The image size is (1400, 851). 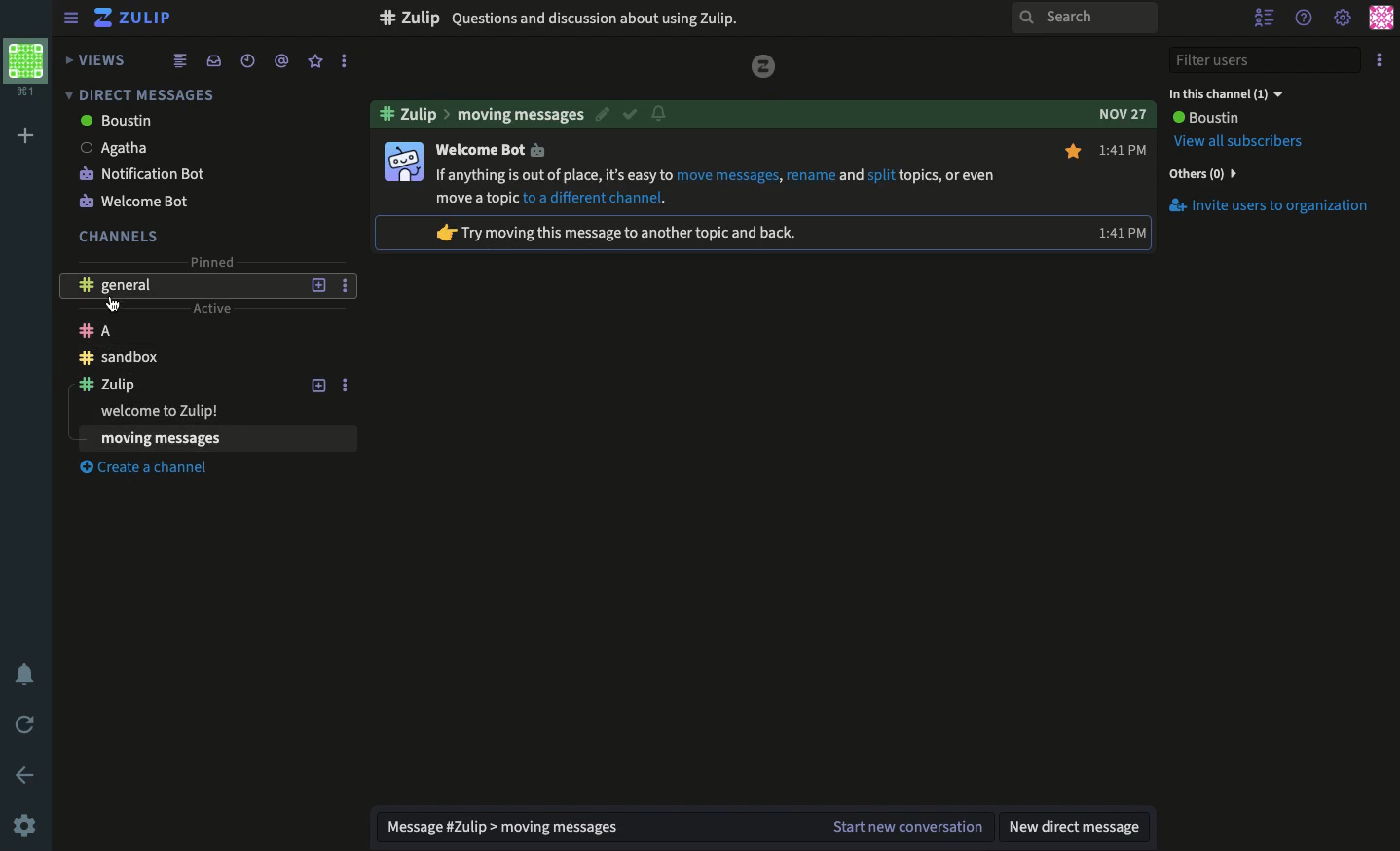 I want to click on Time, so click(x=1124, y=147).